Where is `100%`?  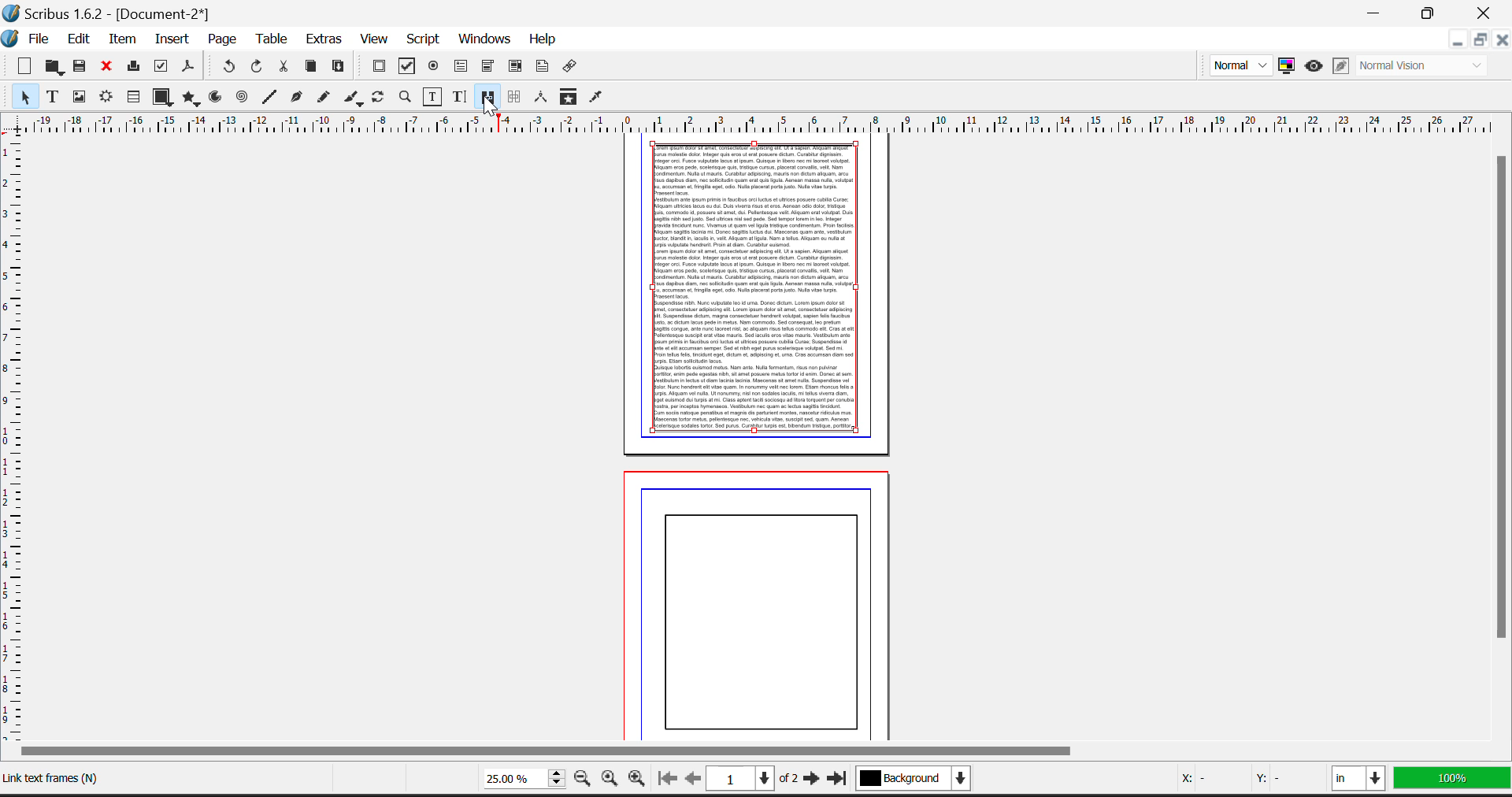 100% is located at coordinates (1454, 782).